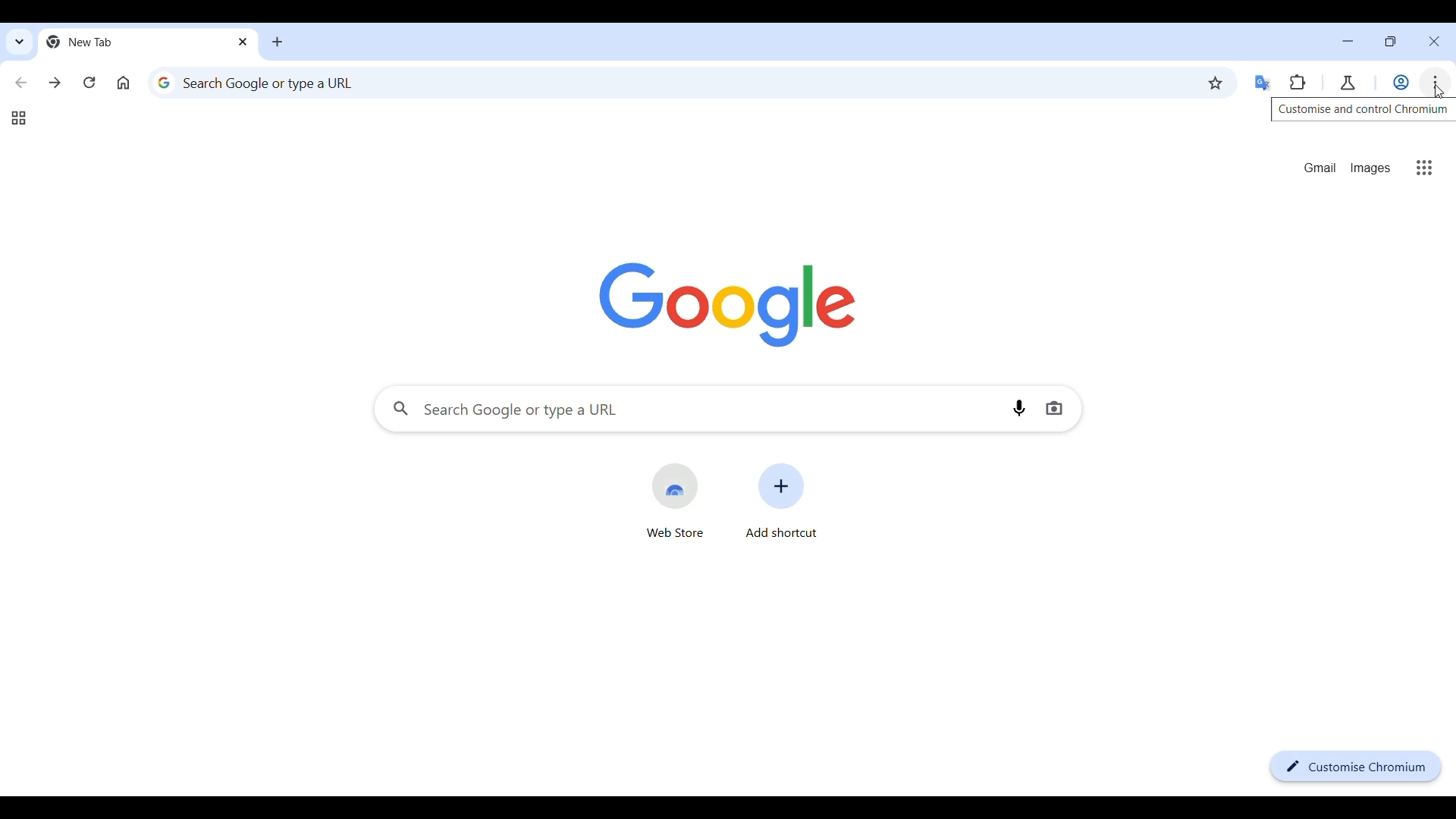 Image resolution: width=1456 pixels, height=819 pixels. I want to click on Search Google or type a url, so click(673, 82).